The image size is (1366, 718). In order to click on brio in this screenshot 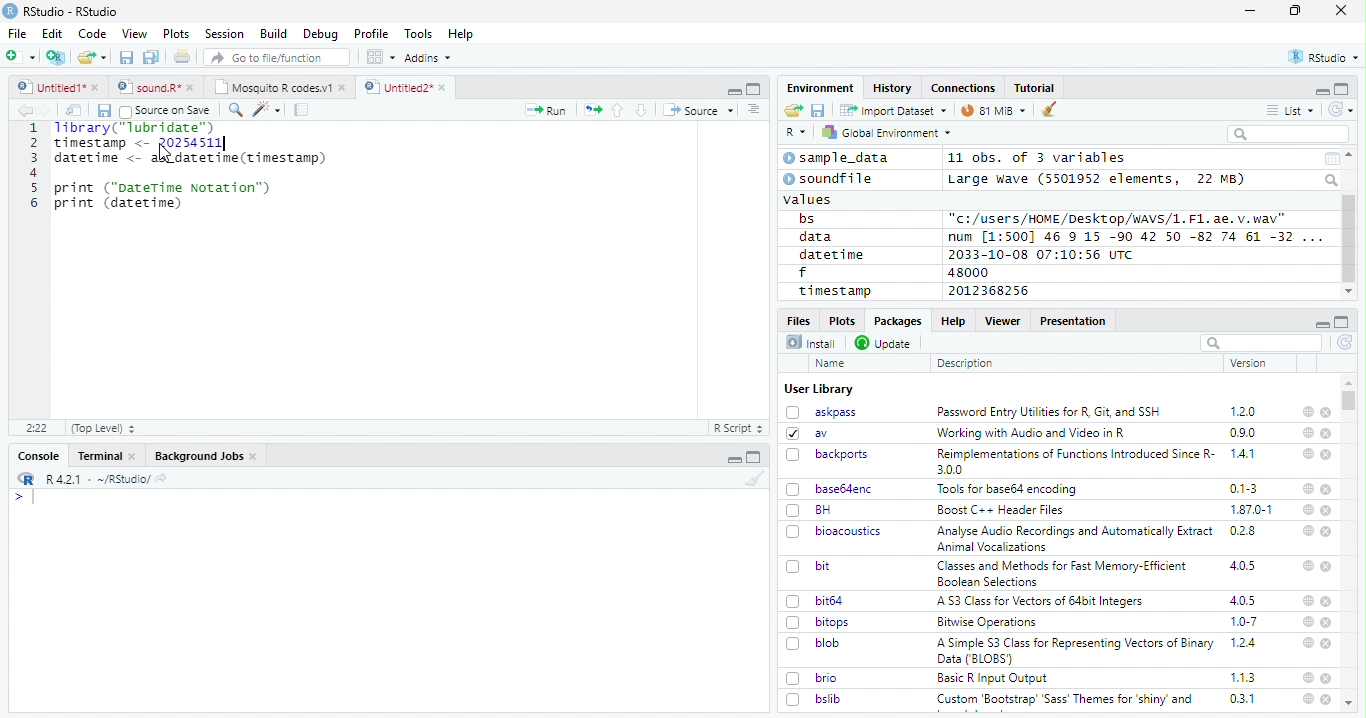, I will do `click(812, 678)`.